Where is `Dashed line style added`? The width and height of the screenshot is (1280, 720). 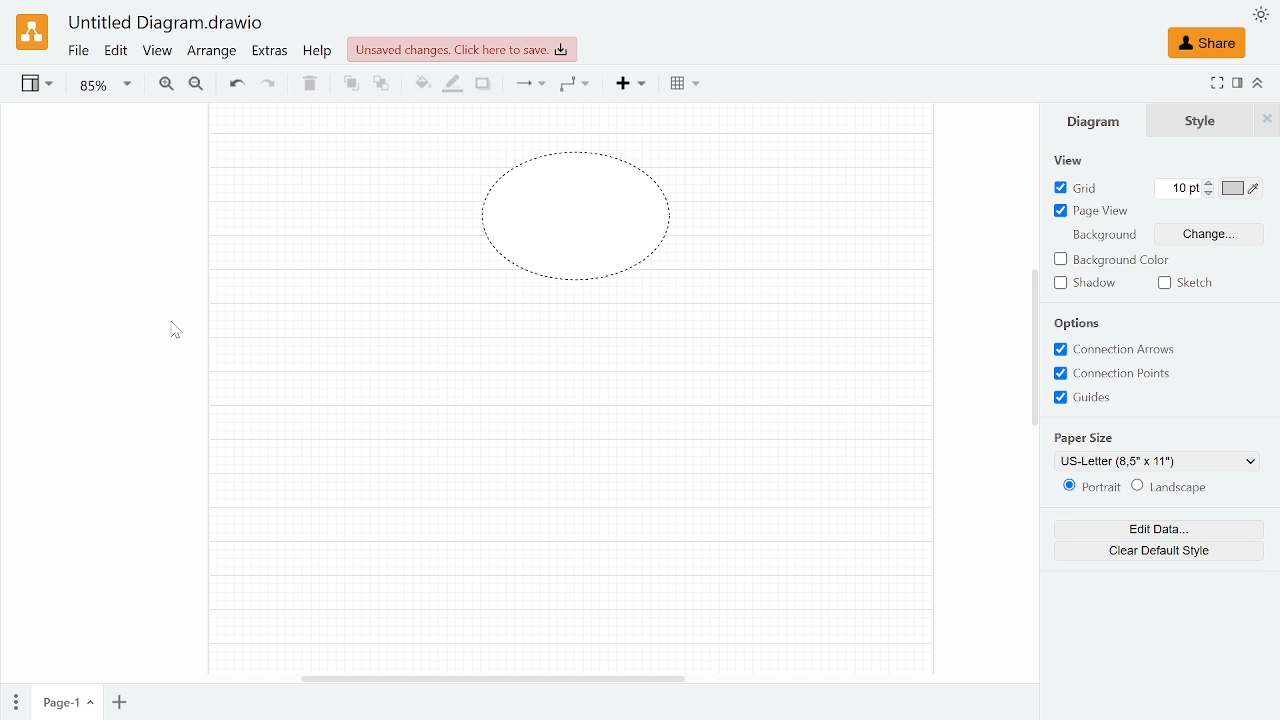 Dashed line style added is located at coordinates (577, 215).